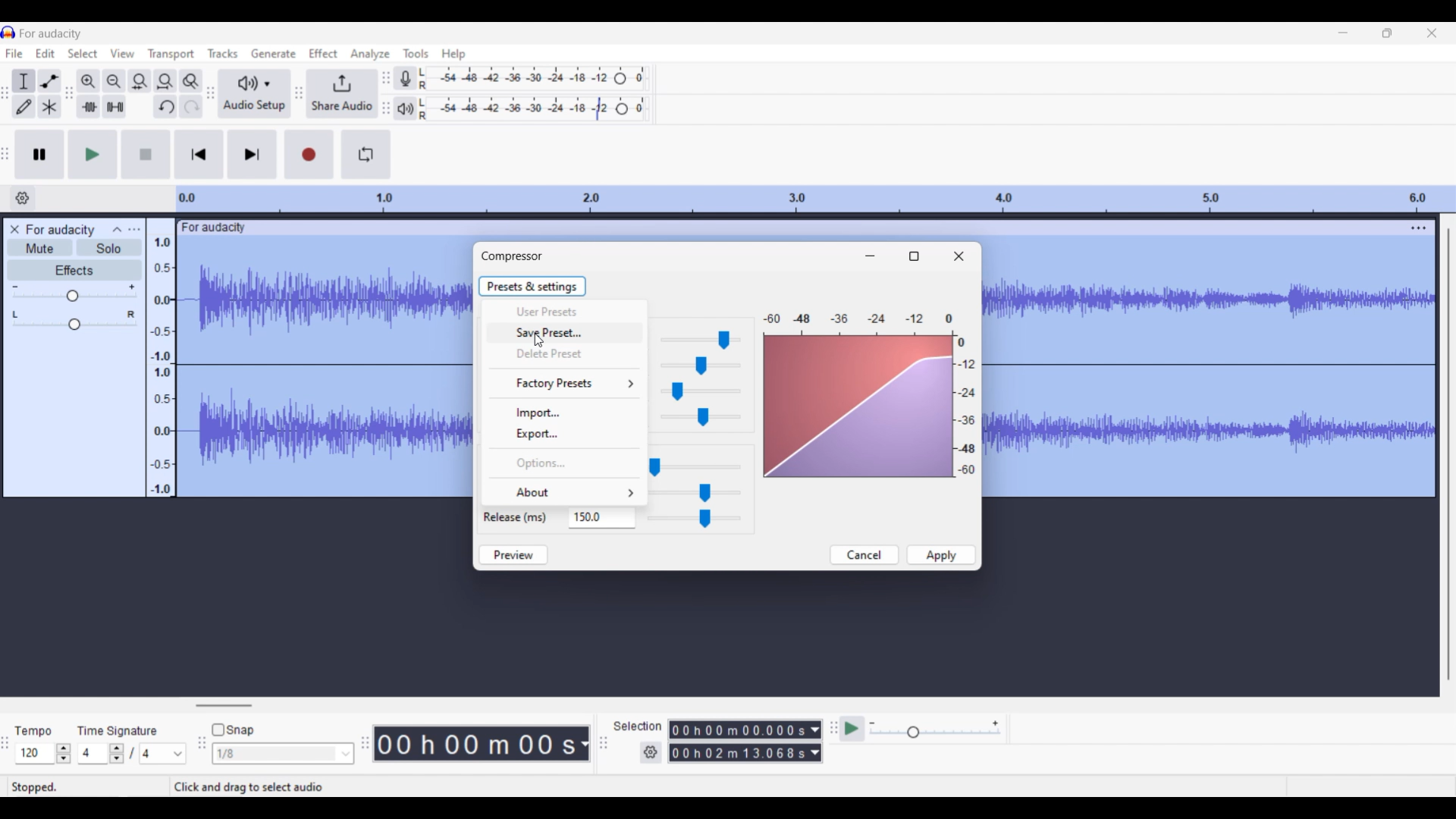 This screenshot has height=819, width=1456. What do you see at coordinates (1432, 33) in the screenshot?
I see `Close interface` at bounding box center [1432, 33].